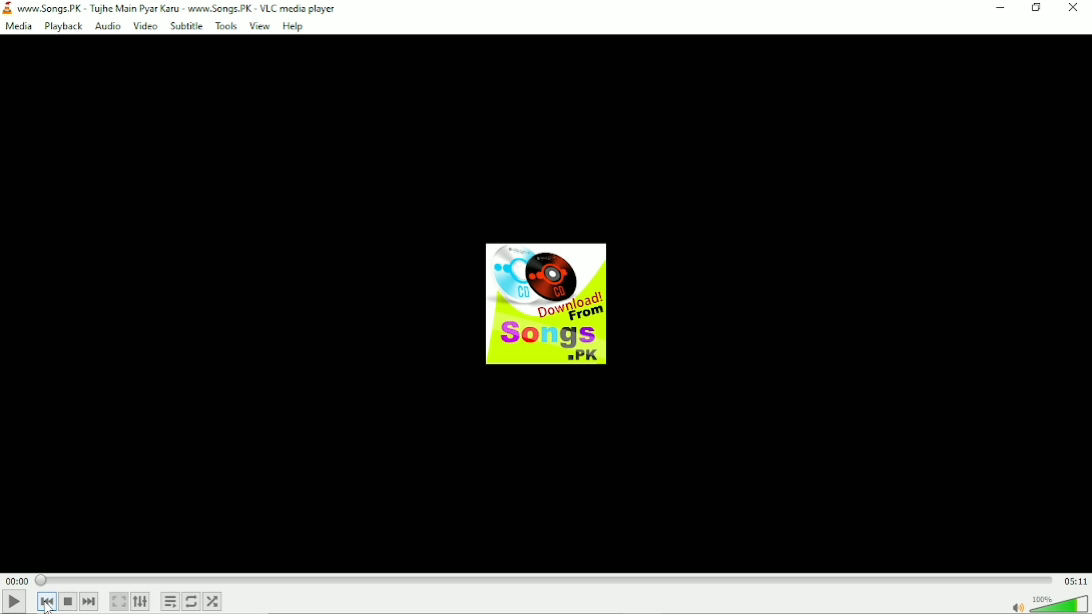  What do you see at coordinates (62, 27) in the screenshot?
I see `Playback` at bounding box center [62, 27].